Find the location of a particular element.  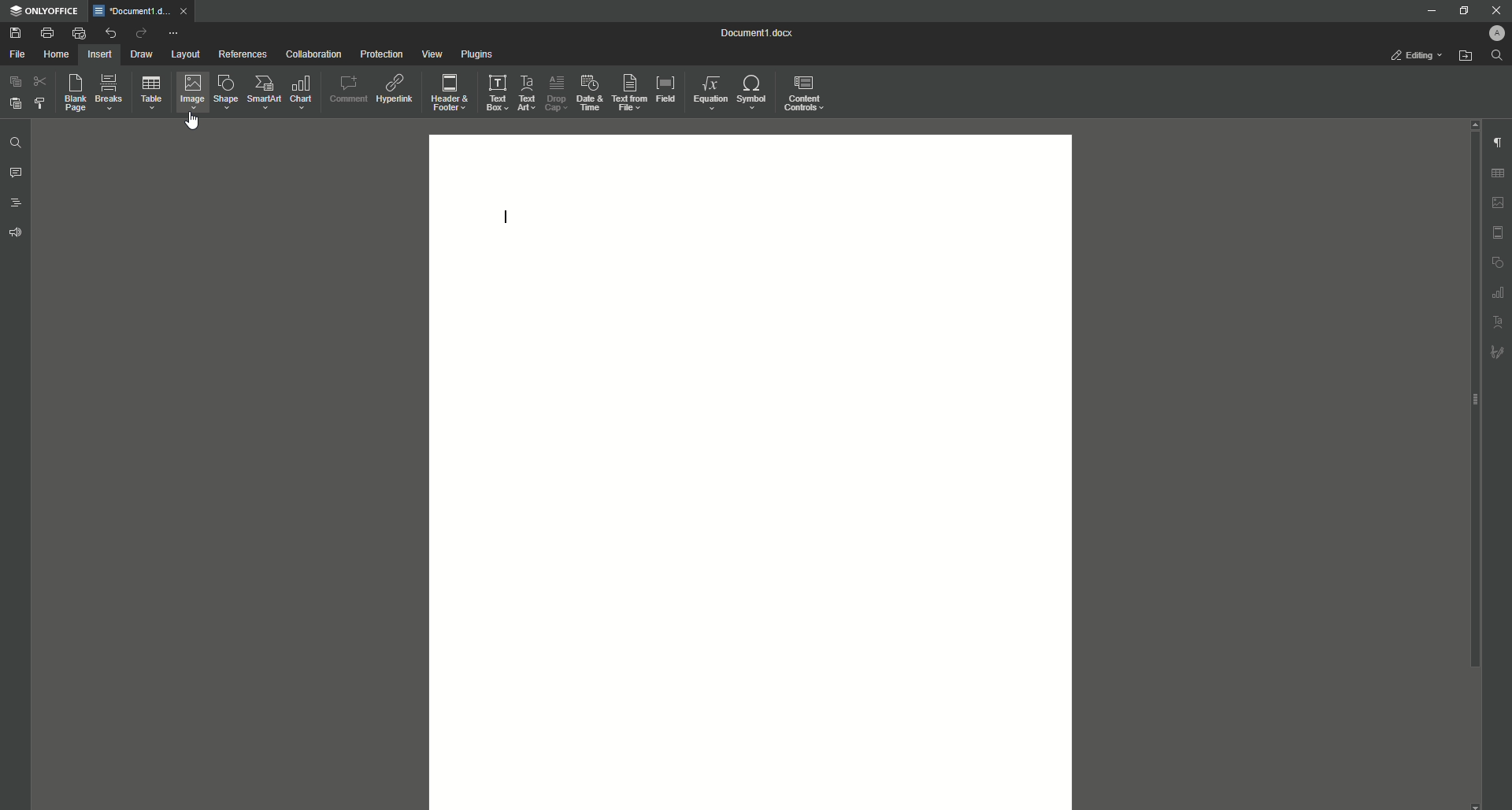

Comments is located at coordinates (18, 174).